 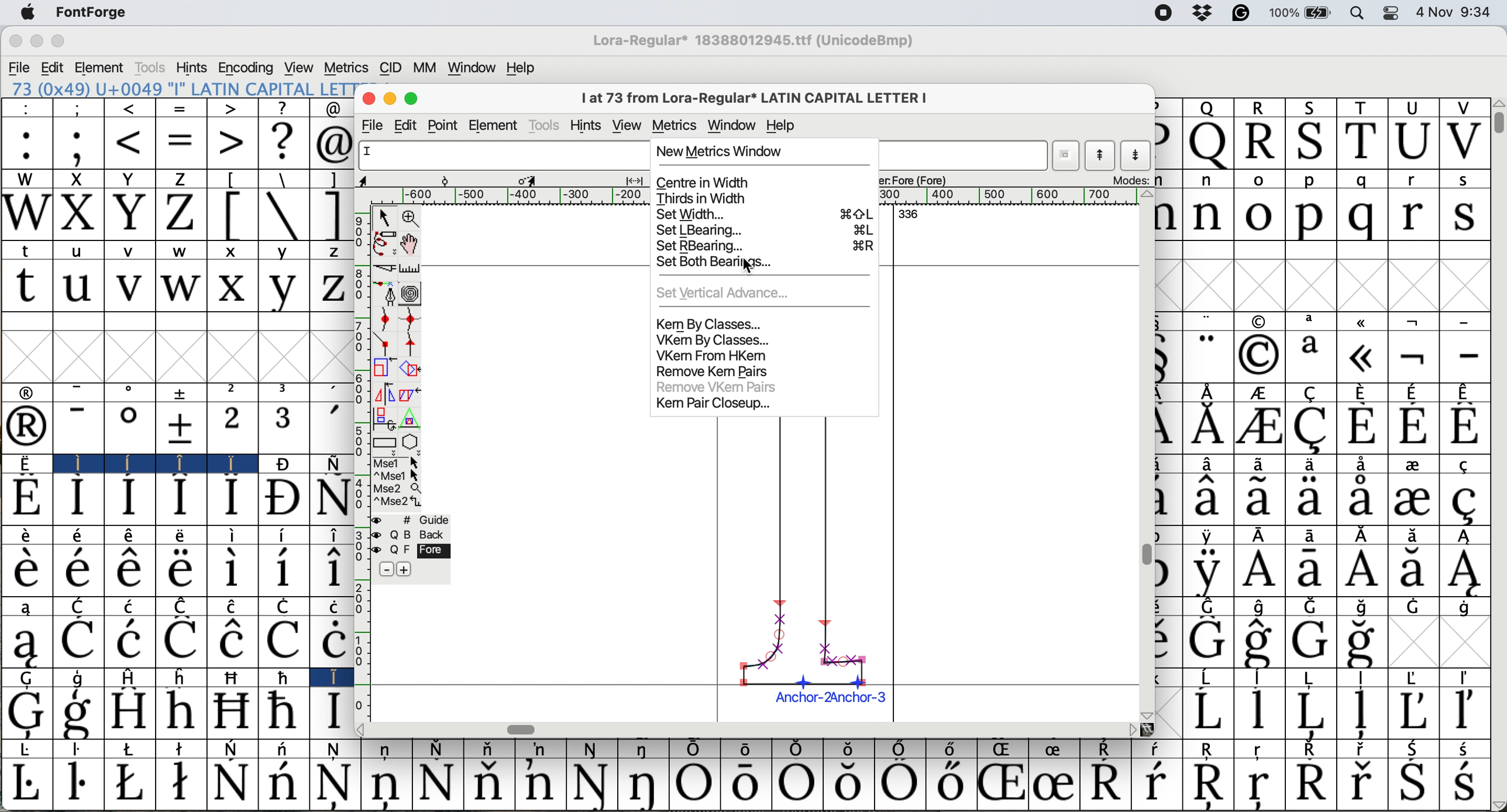 What do you see at coordinates (23, 713) in the screenshot?
I see `Symbol` at bounding box center [23, 713].